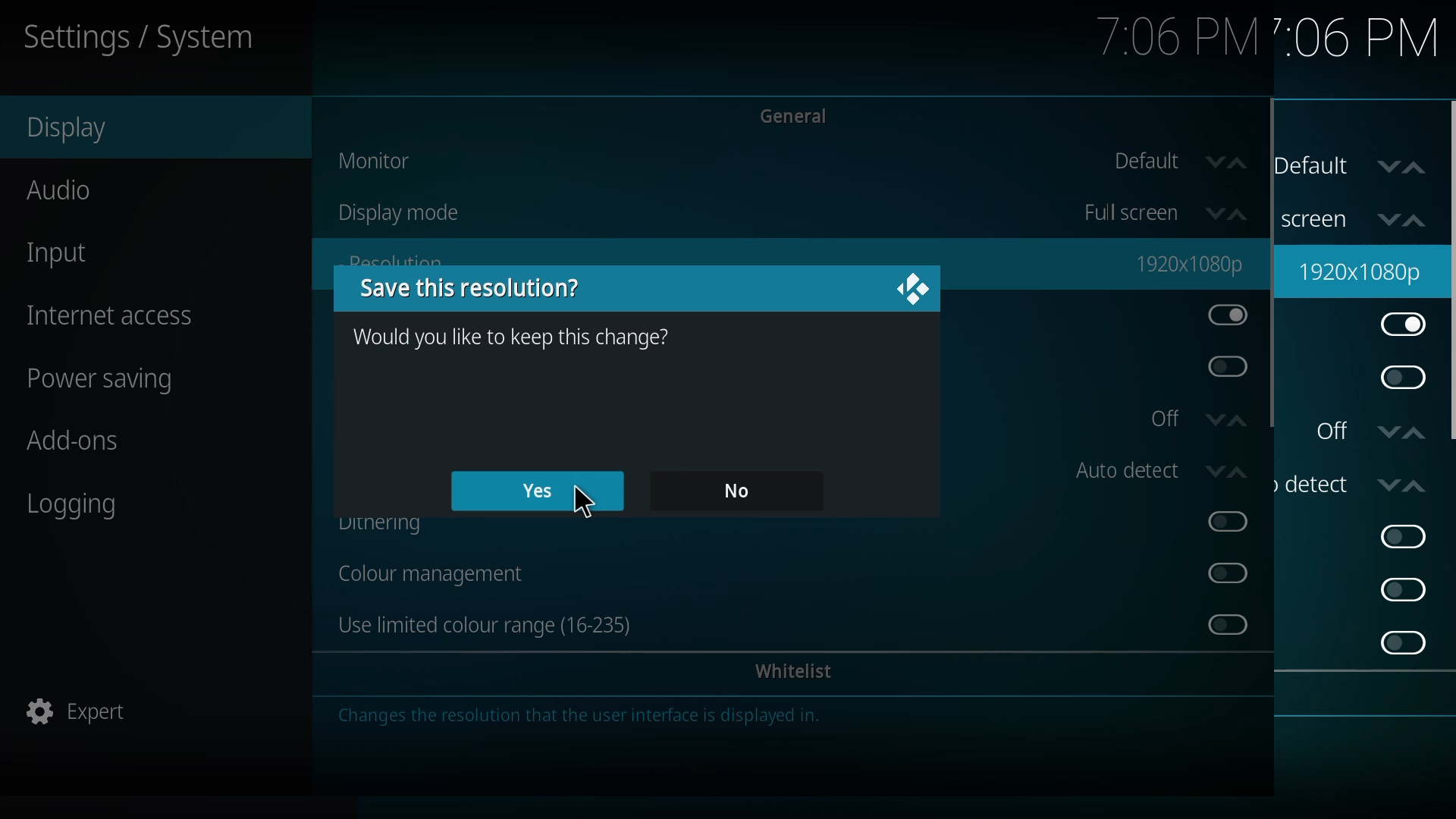  I want to click on enable, so click(1402, 536).